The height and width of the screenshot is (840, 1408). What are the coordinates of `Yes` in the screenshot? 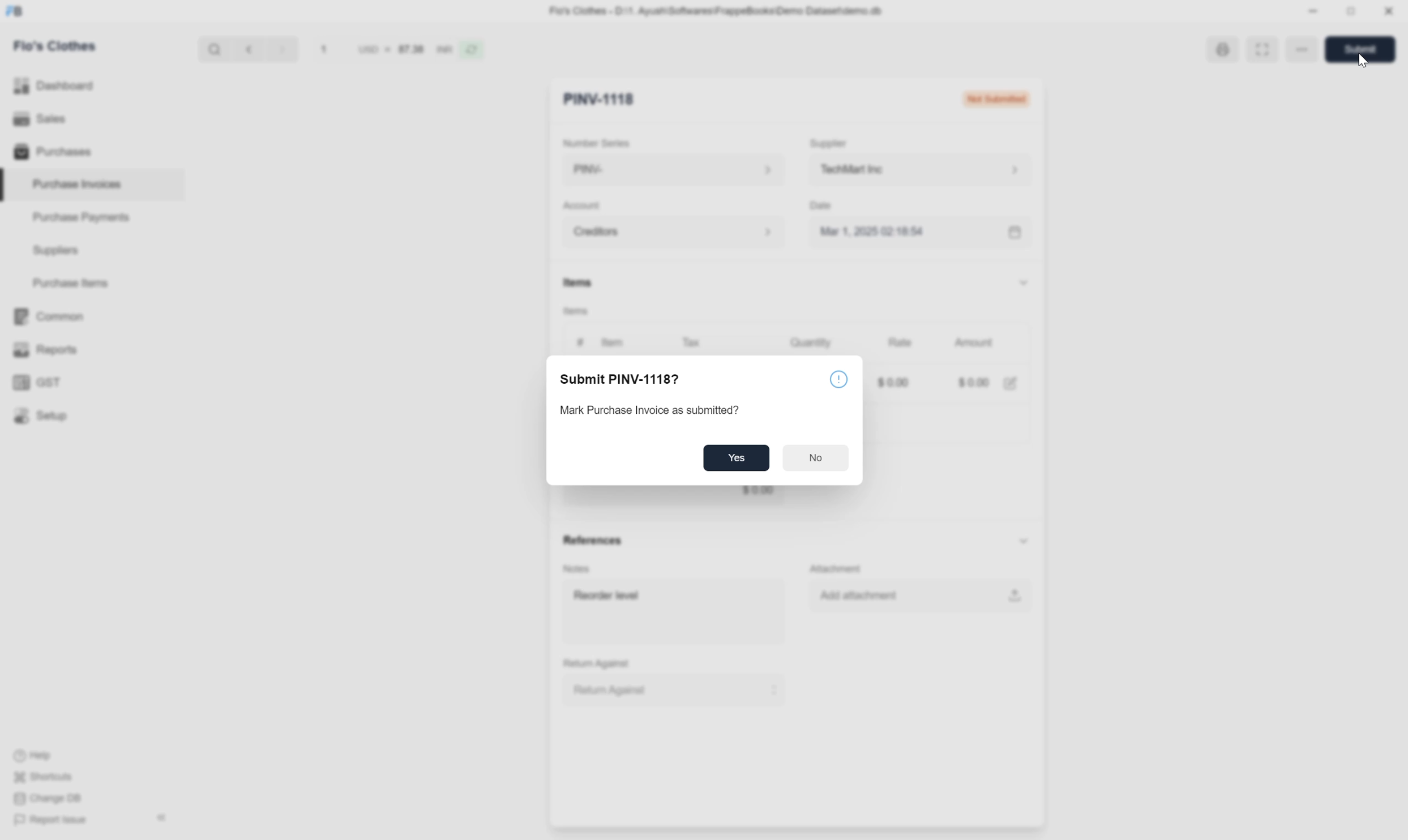 It's located at (741, 456).